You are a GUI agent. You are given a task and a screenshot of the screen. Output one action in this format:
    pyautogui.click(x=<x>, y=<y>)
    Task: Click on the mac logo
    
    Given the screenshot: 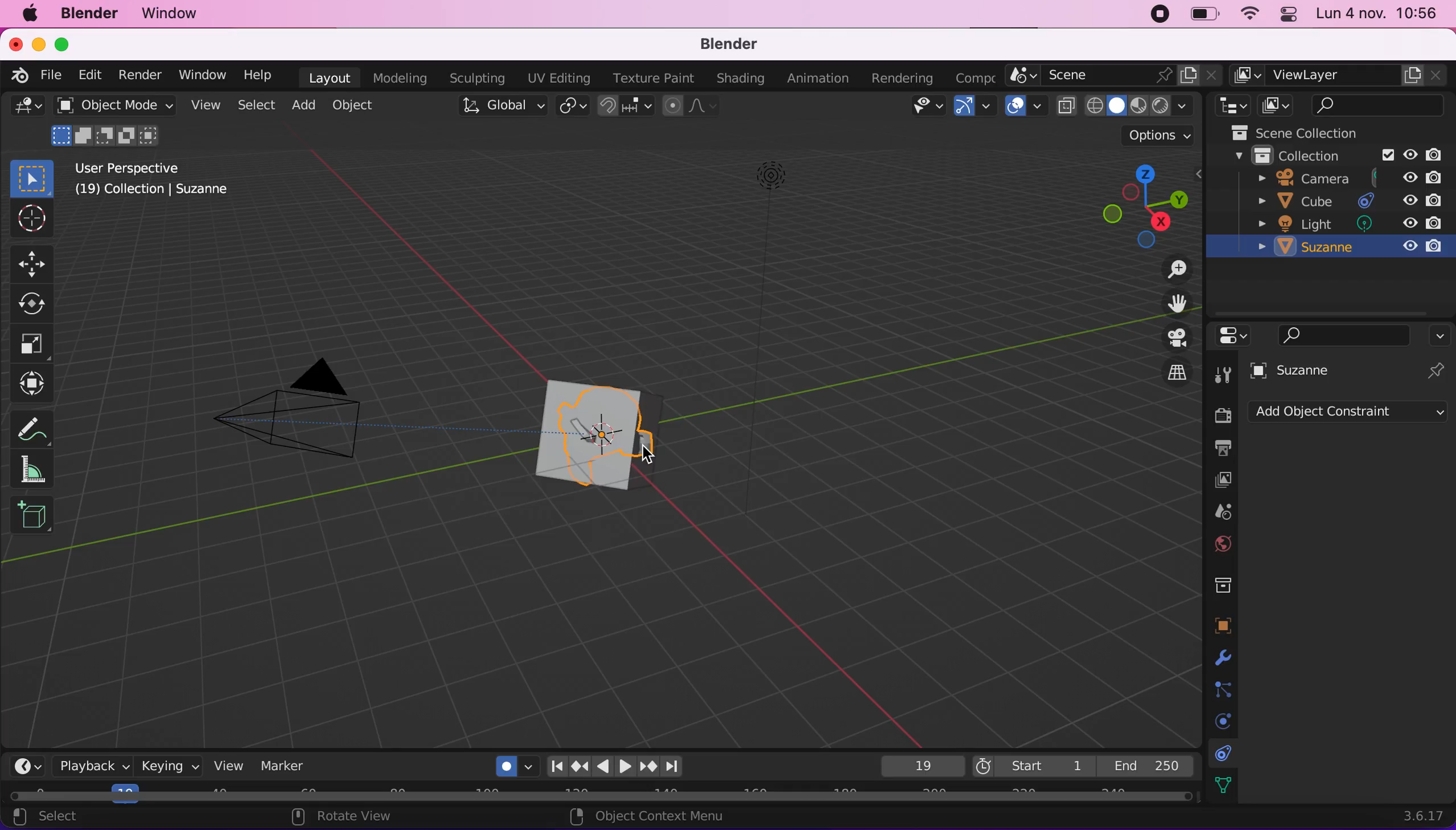 What is the action you would take?
    pyautogui.click(x=29, y=13)
    